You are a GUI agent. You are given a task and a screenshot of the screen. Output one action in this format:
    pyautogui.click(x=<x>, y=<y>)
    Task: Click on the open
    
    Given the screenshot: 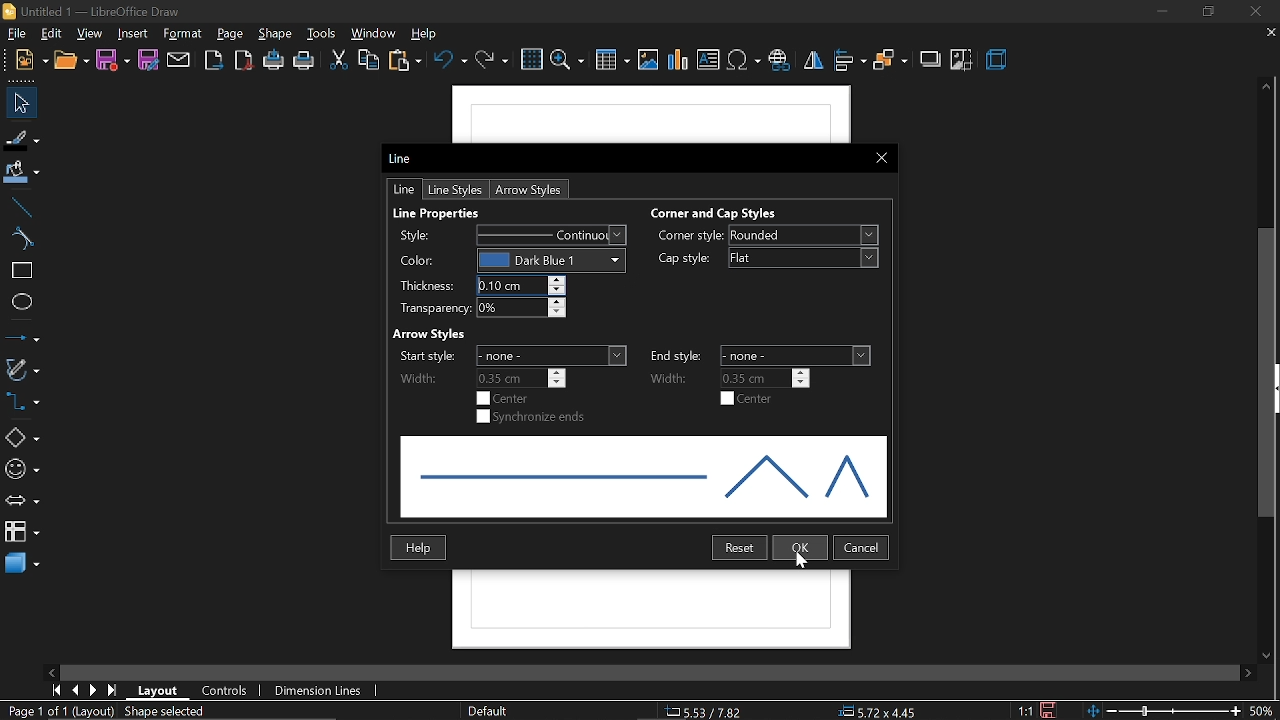 What is the action you would take?
    pyautogui.click(x=73, y=61)
    